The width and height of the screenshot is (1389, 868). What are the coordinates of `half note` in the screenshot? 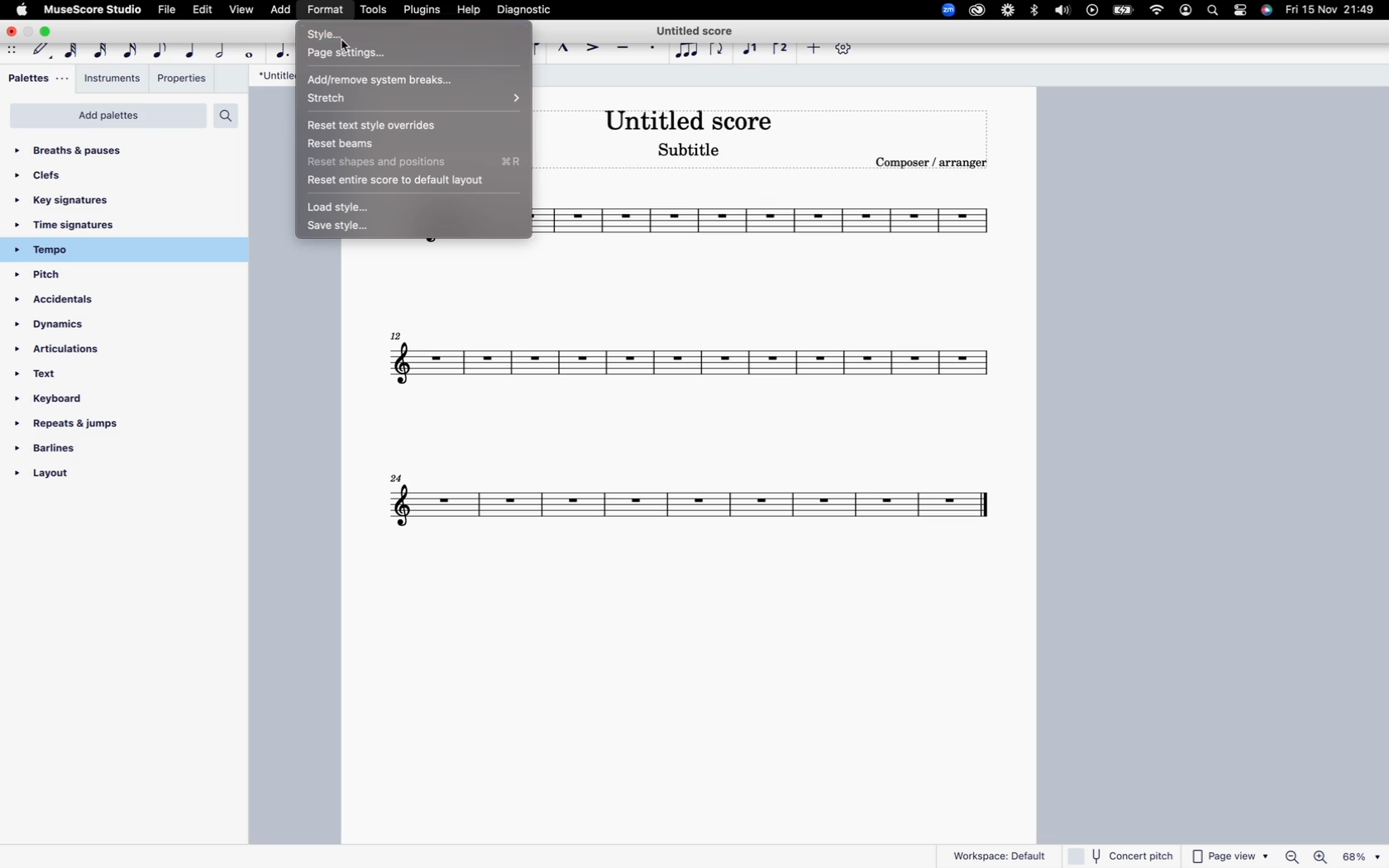 It's located at (222, 48).